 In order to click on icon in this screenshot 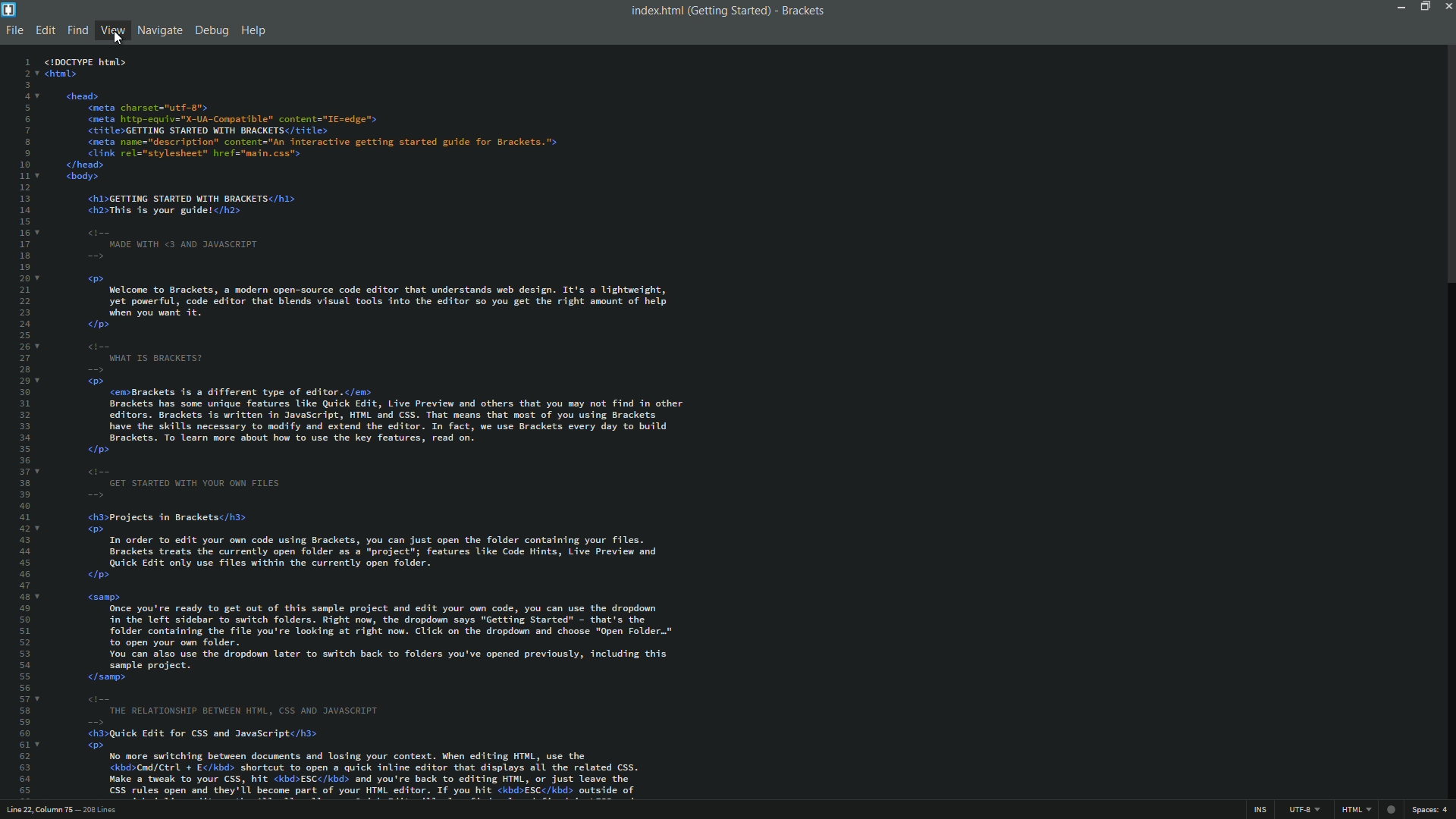, I will do `click(1392, 810)`.